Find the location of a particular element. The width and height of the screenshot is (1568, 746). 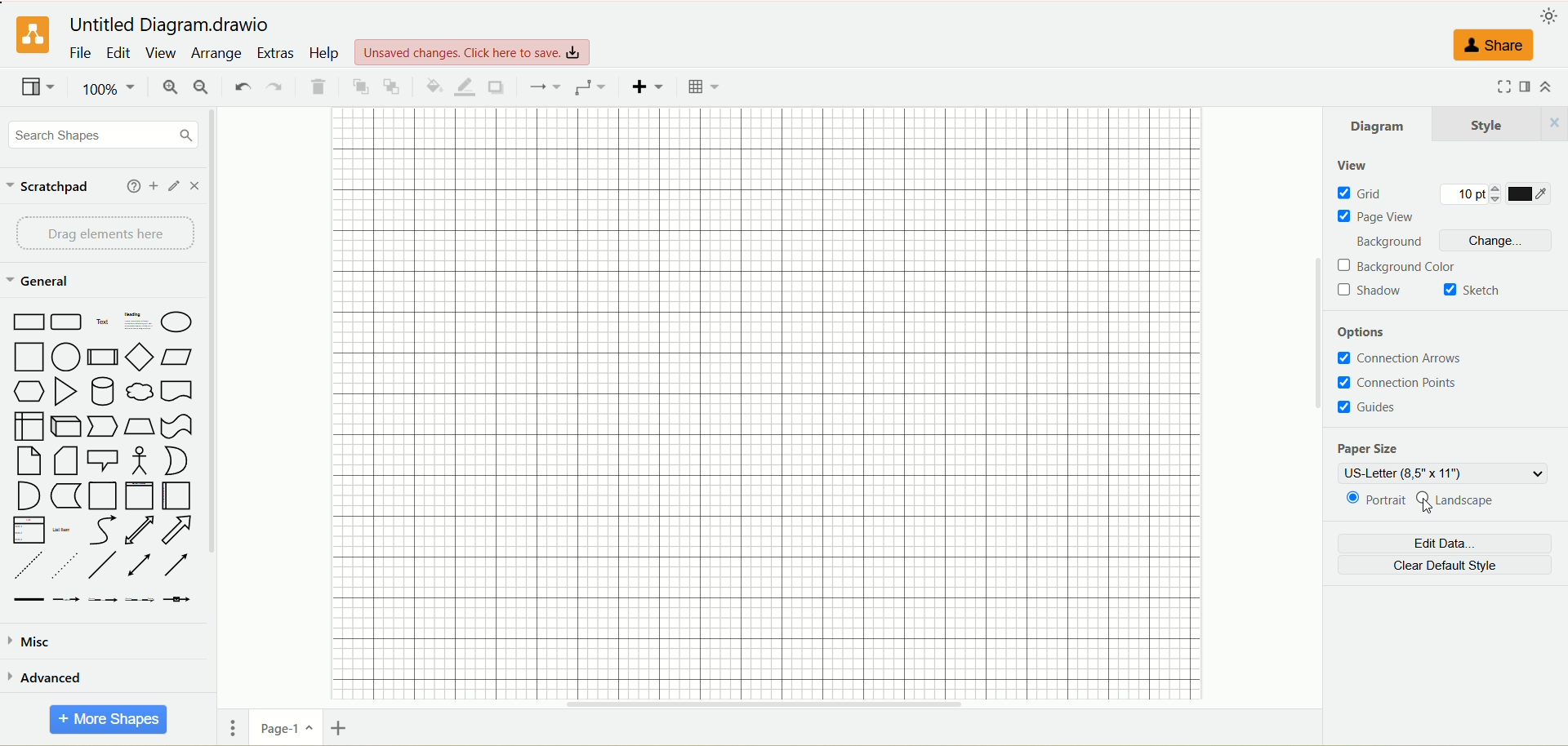

pages is located at coordinates (236, 730).